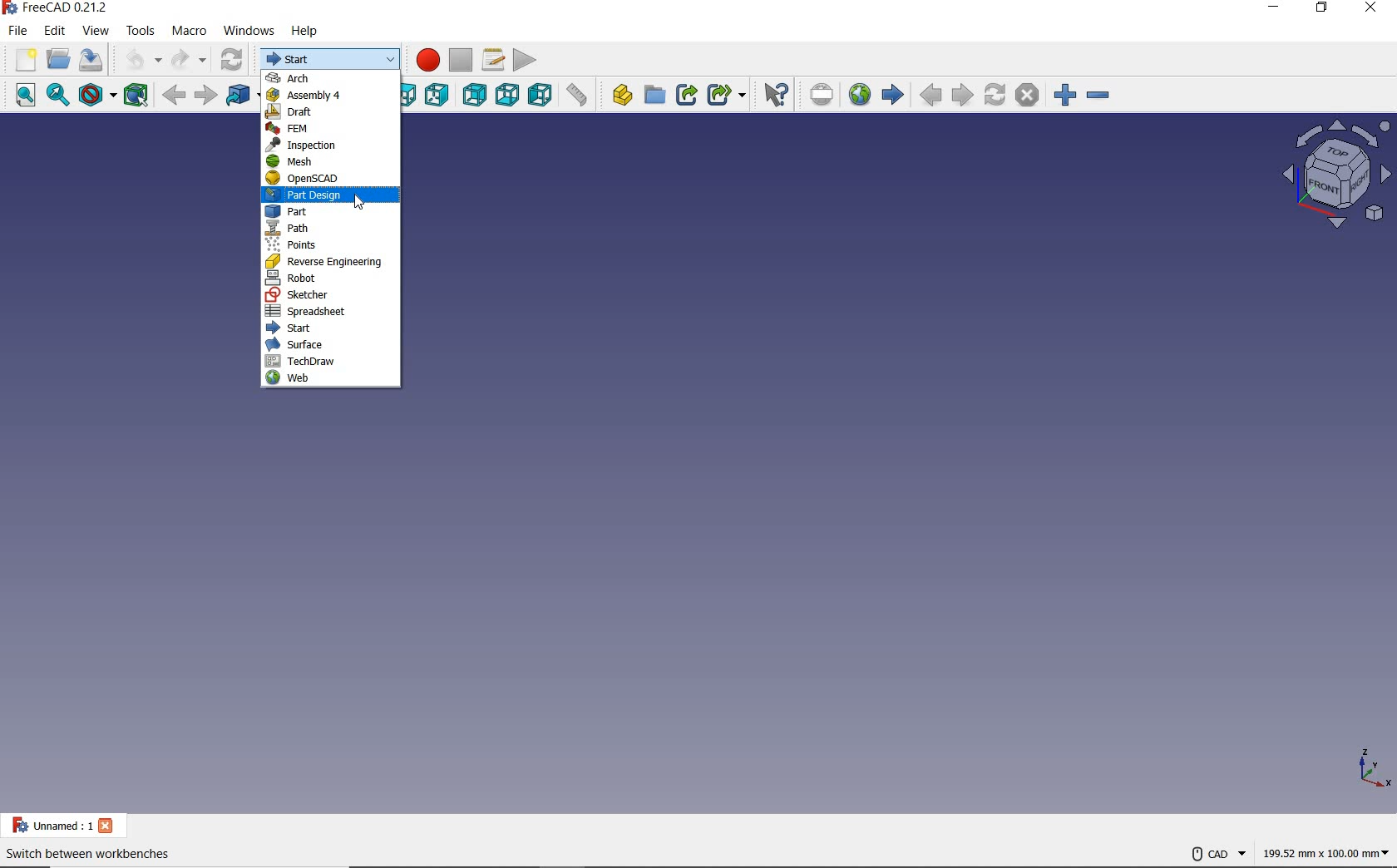 The height and width of the screenshot is (868, 1397). I want to click on dimension axis, so click(1372, 766).